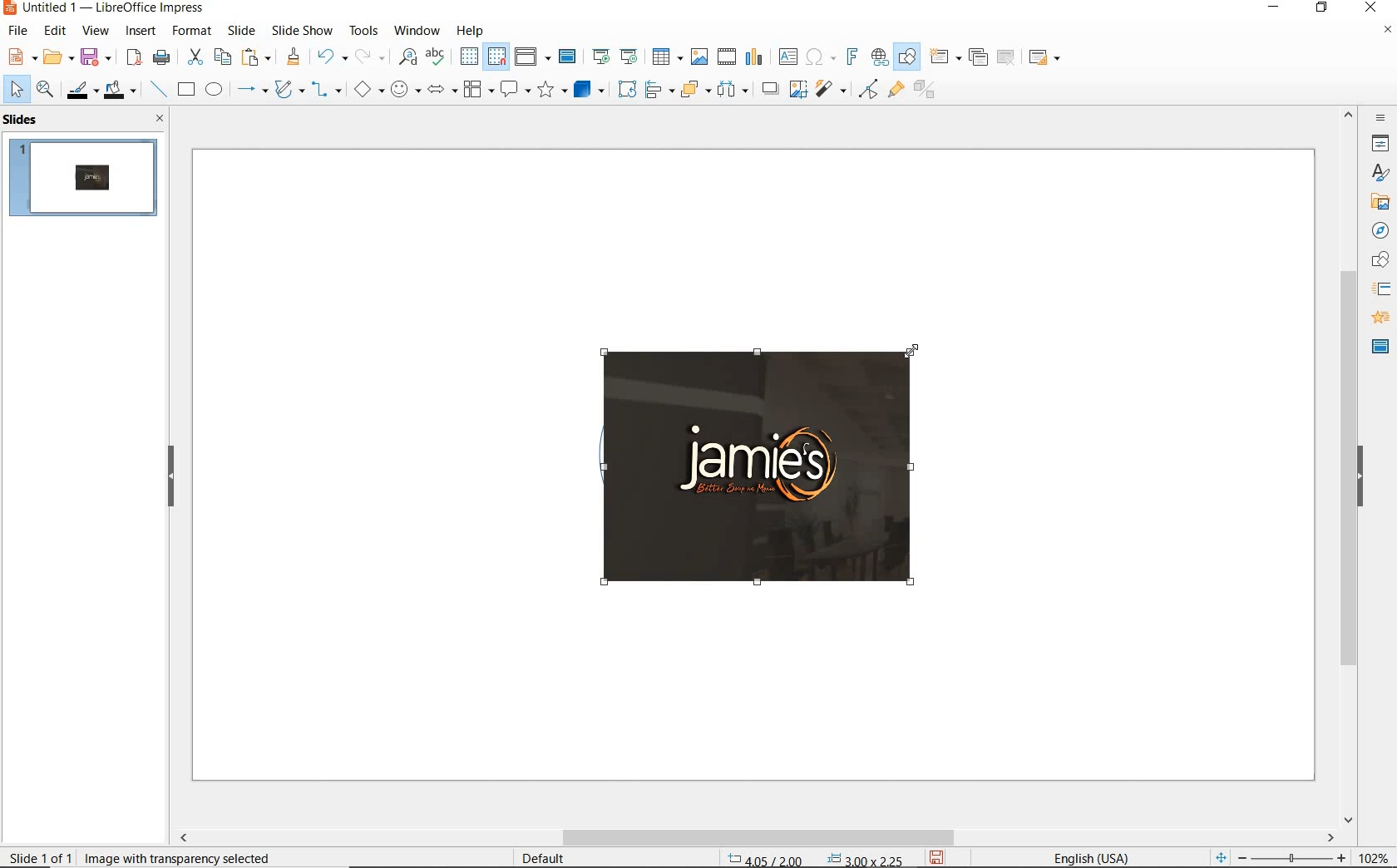 This screenshot has width=1397, height=868. What do you see at coordinates (329, 58) in the screenshot?
I see `undo` at bounding box center [329, 58].